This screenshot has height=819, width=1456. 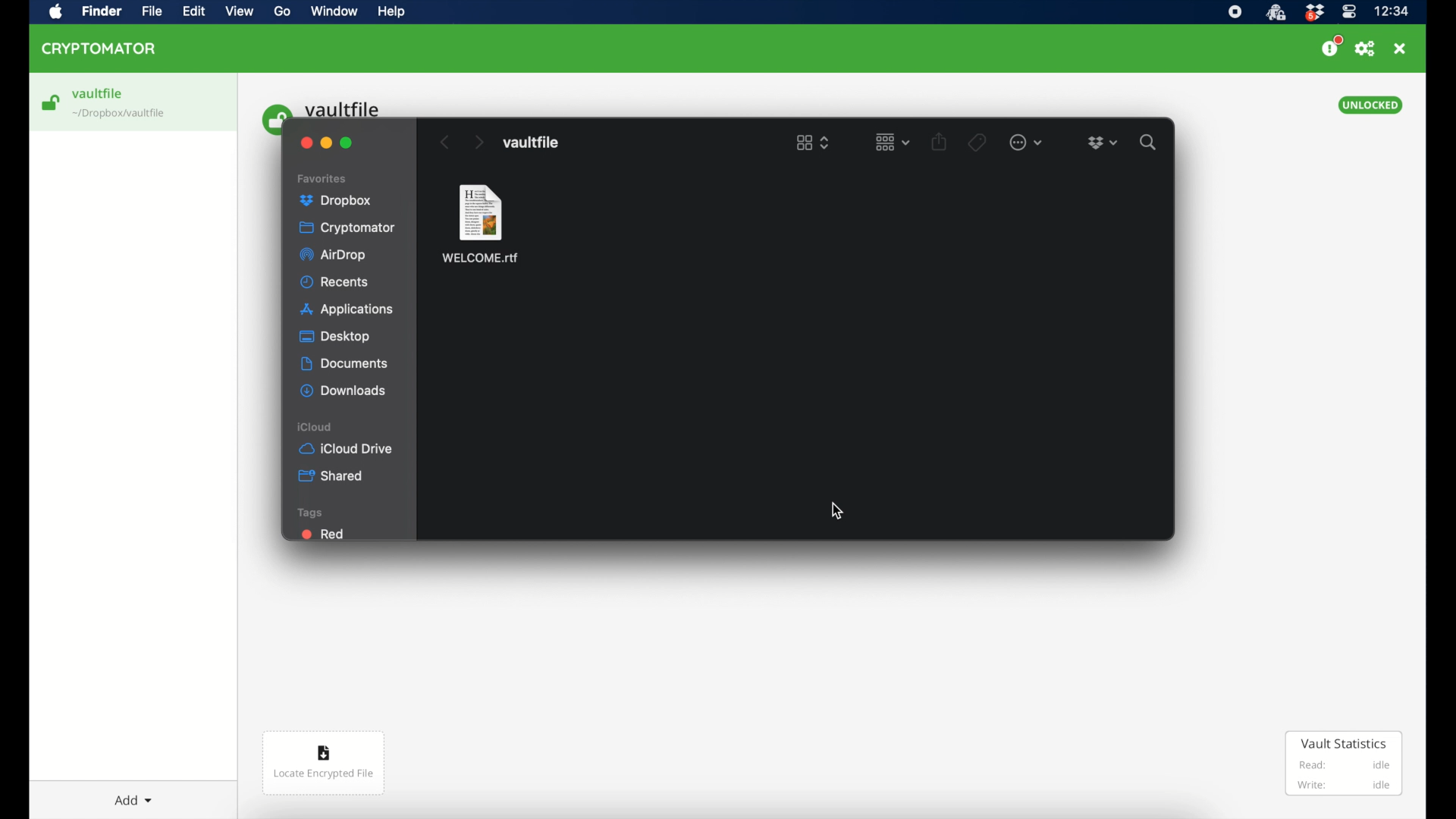 I want to click on welcome.rtf, so click(x=479, y=223).